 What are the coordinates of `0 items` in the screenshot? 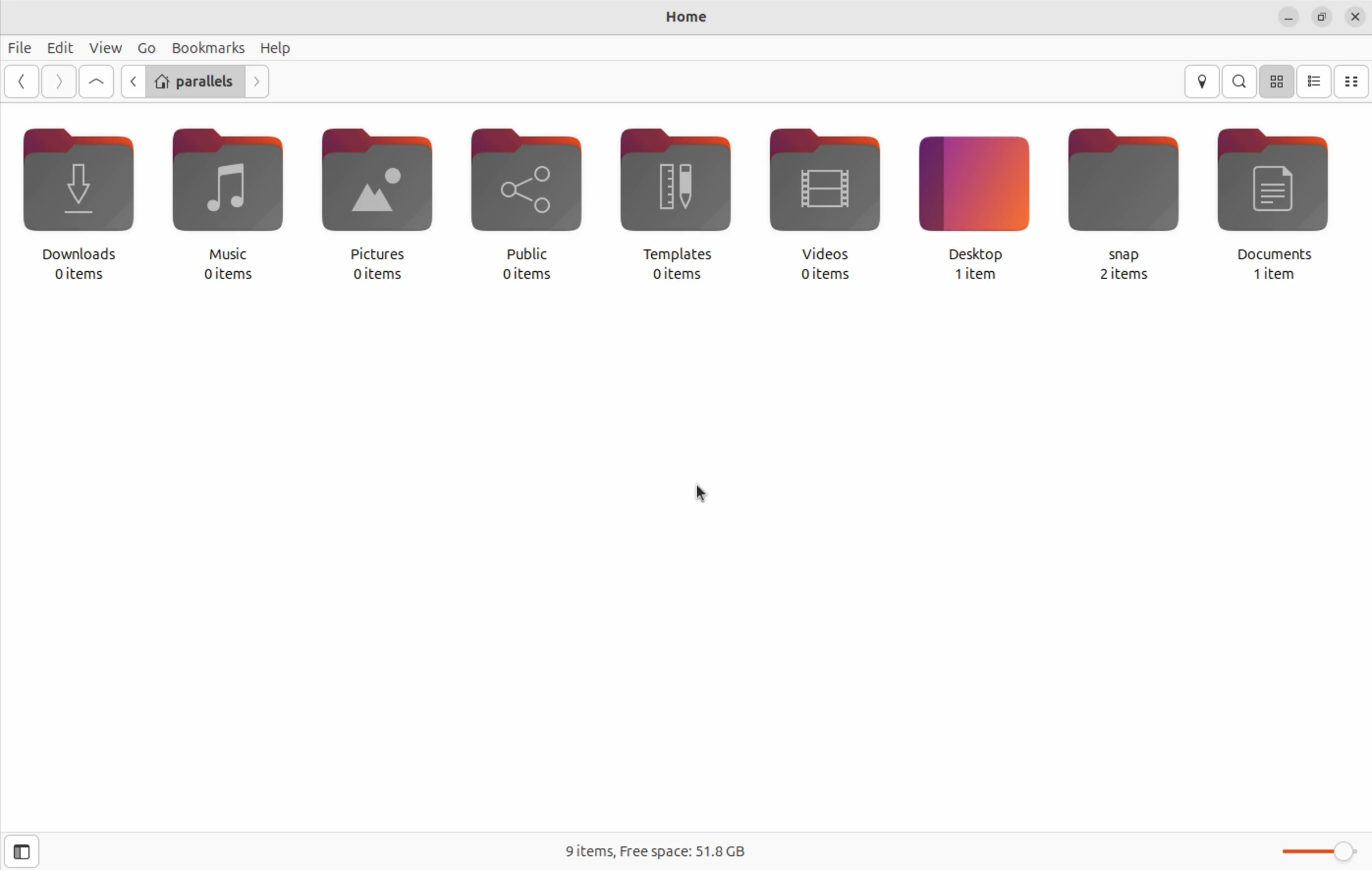 It's located at (524, 274).